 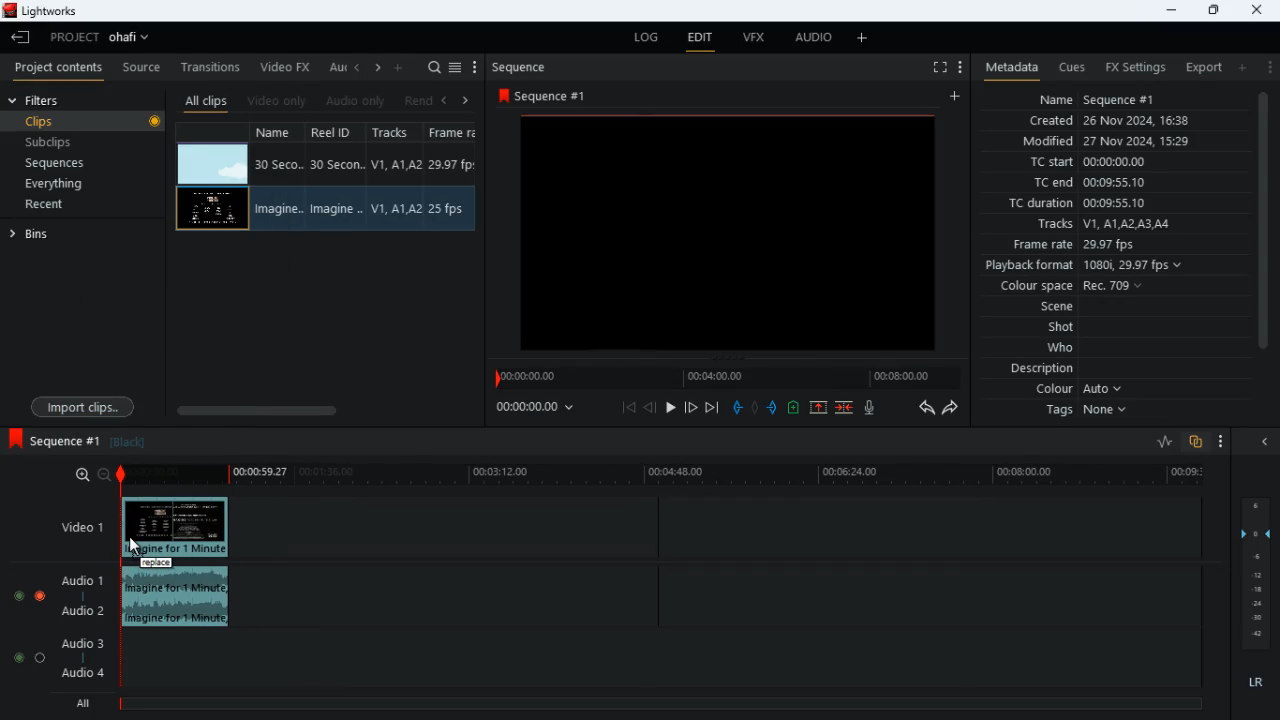 I want to click on fullscreen, so click(x=938, y=68).